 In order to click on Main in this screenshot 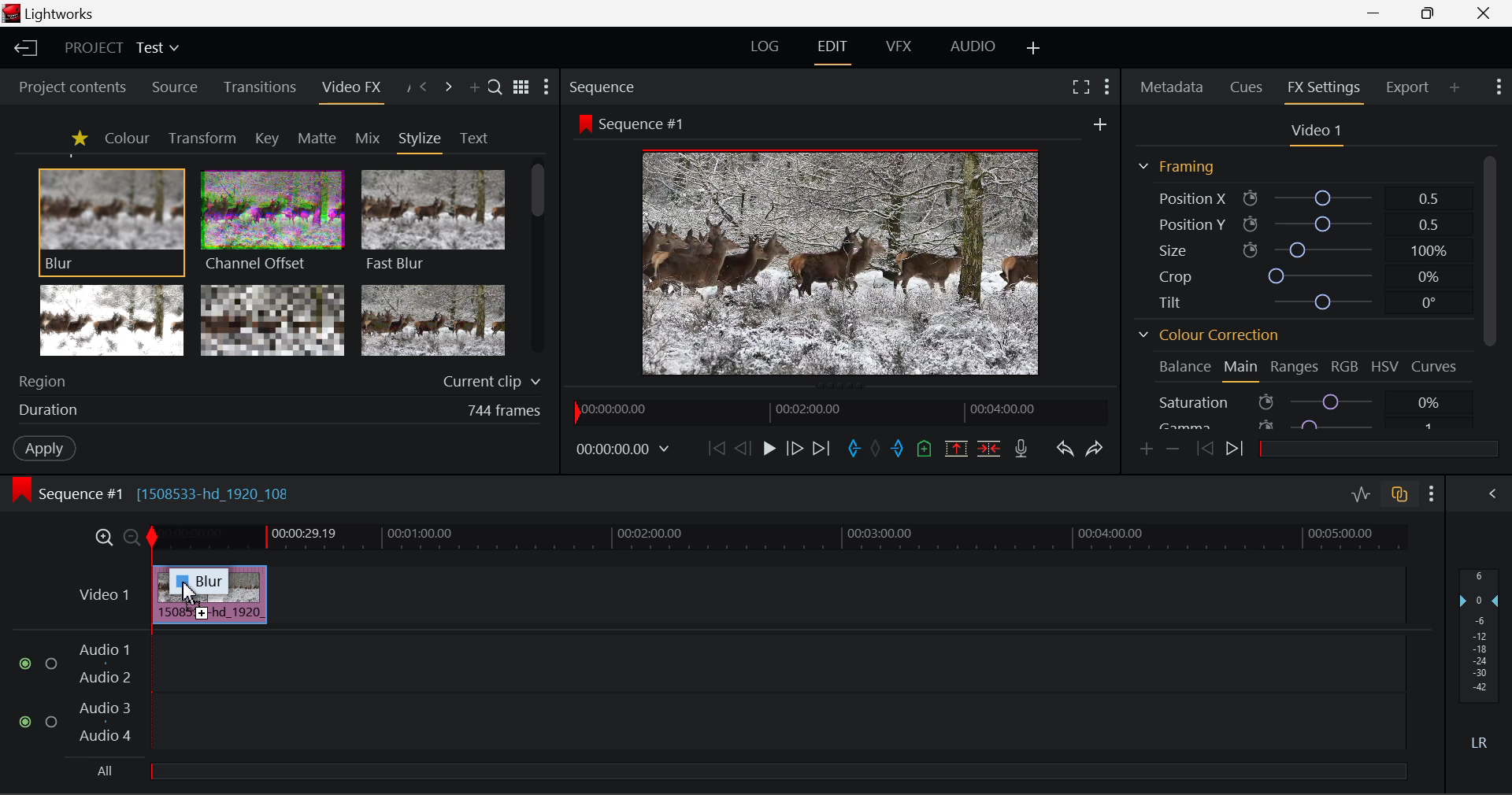, I will do `click(1242, 370)`.